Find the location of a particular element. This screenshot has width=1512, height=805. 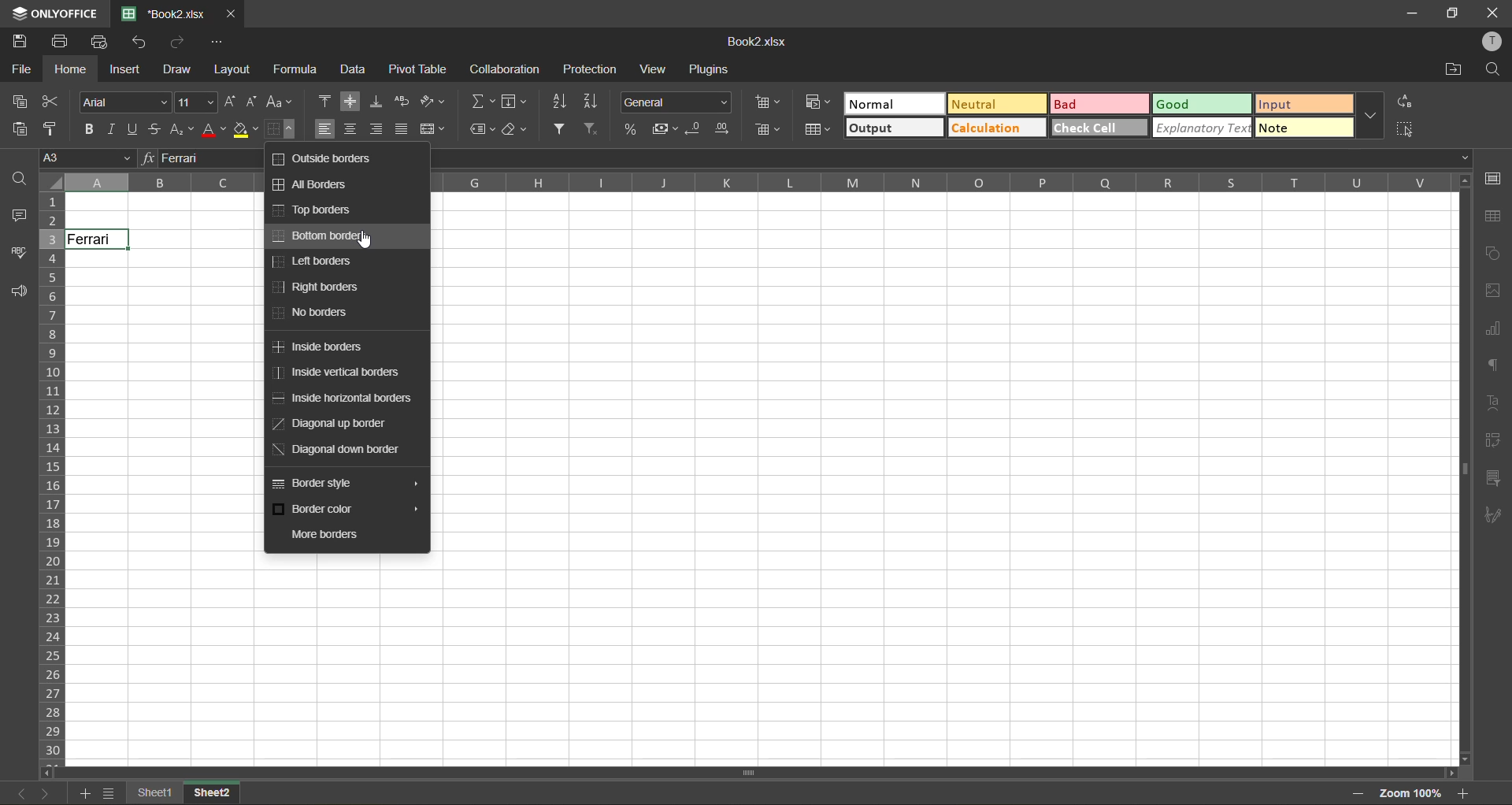

pivot table is located at coordinates (421, 69).